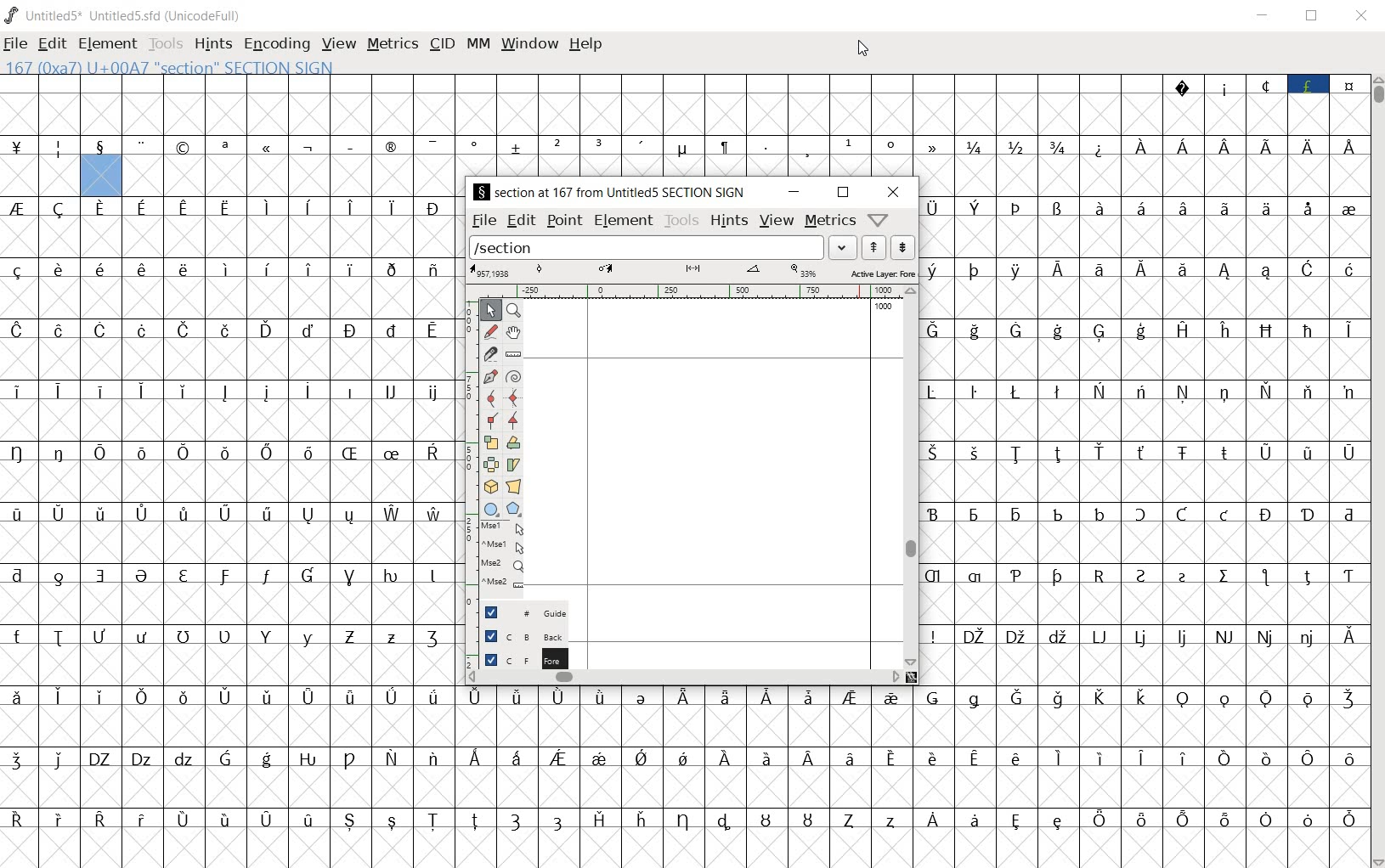 This screenshot has width=1385, height=868. What do you see at coordinates (483, 220) in the screenshot?
I see `file` at bounding box center [483, 220].